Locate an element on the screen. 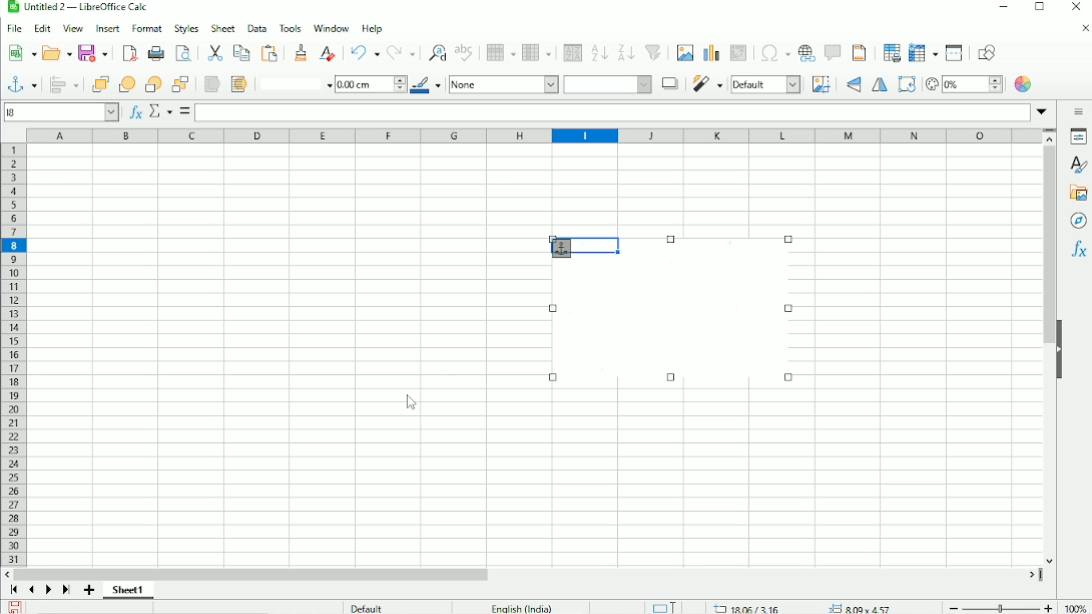  Insert comments is located at coordinates (834, 52).